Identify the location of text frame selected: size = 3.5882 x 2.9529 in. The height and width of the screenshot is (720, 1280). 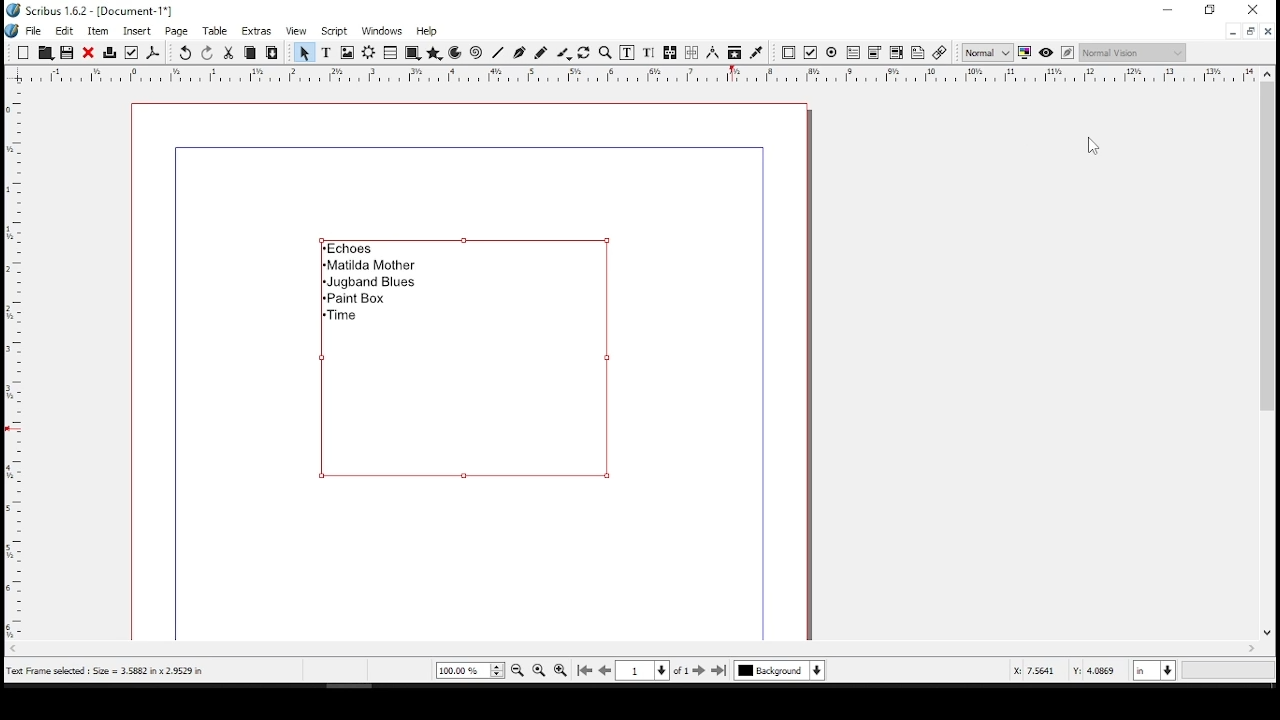
(107, 671).